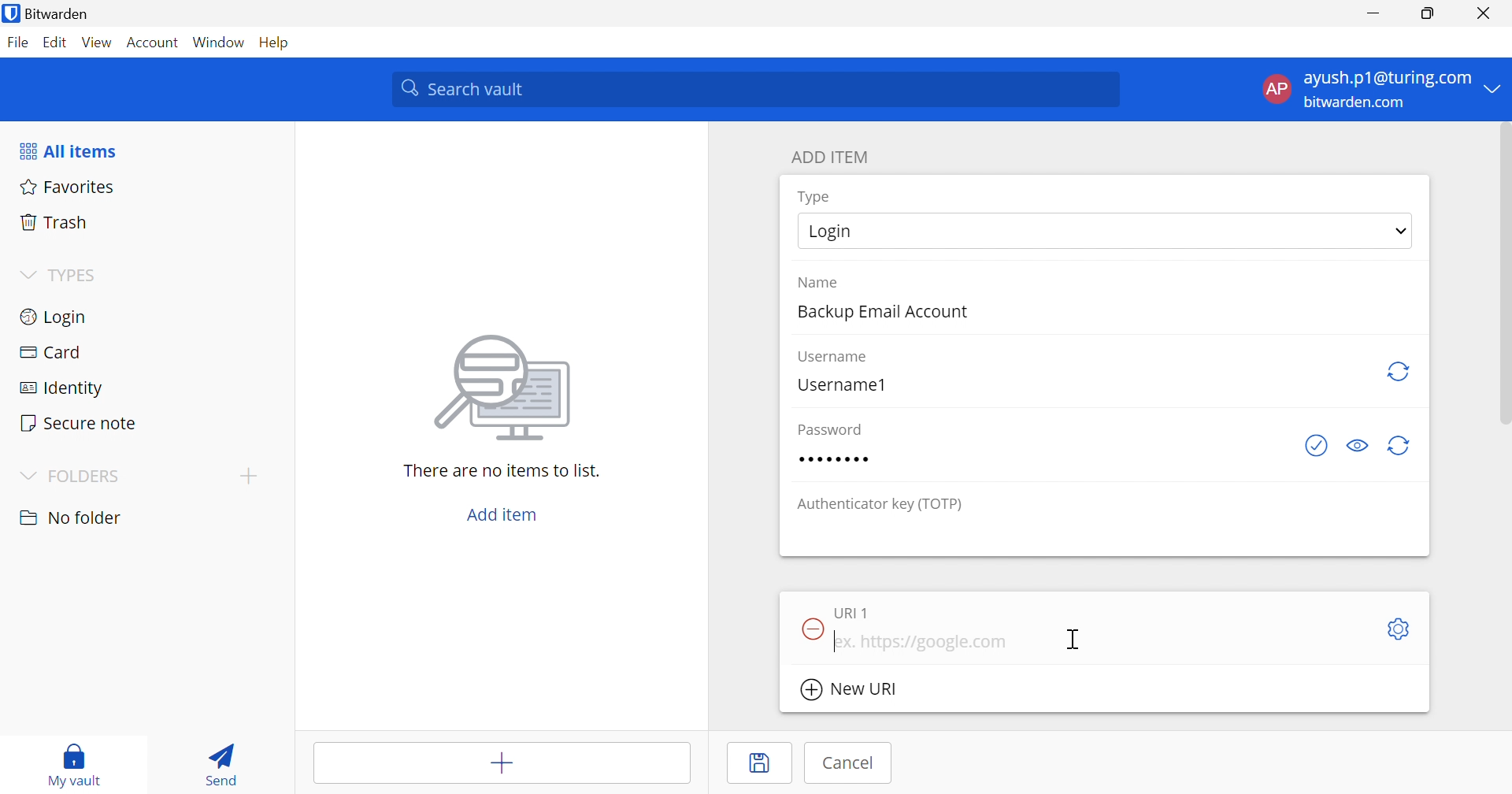 This screenshot has height=794, width=1512. I want to click on TYPES, so click(74, 274).